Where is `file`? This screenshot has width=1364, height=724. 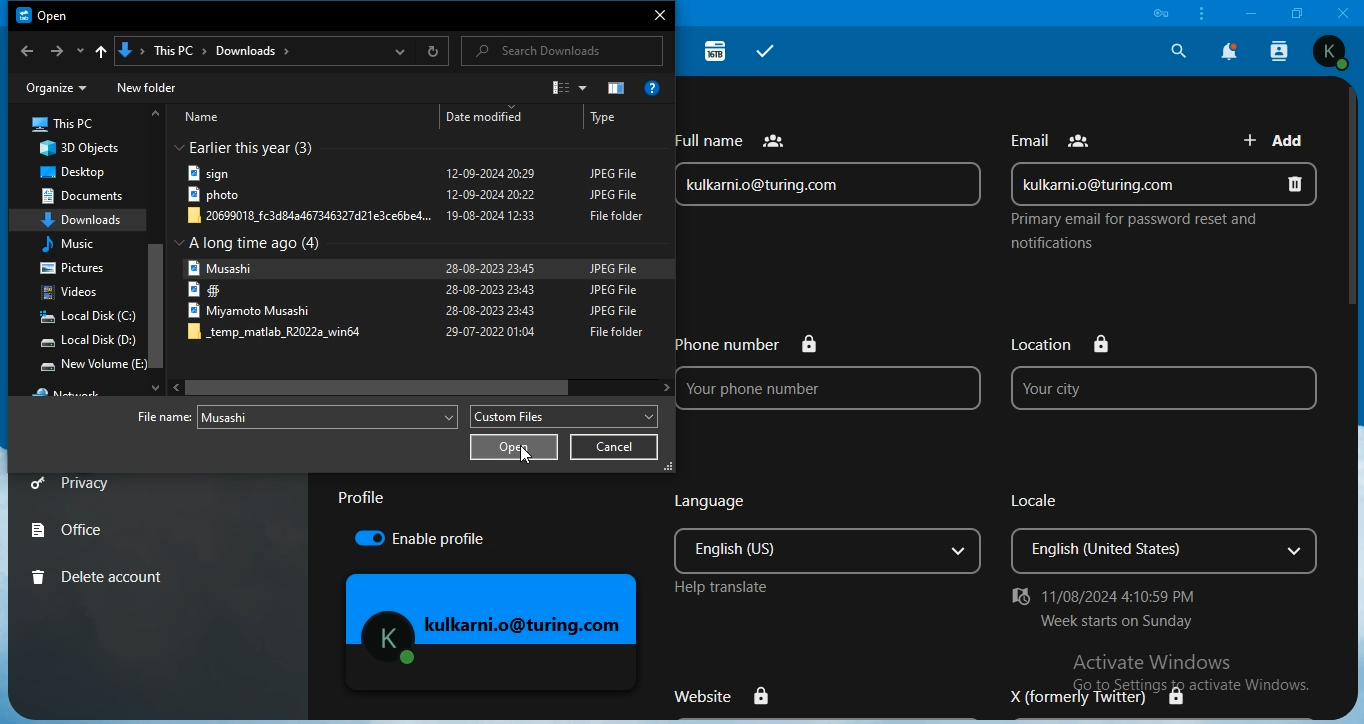
file is located at coordinates (412, 197).